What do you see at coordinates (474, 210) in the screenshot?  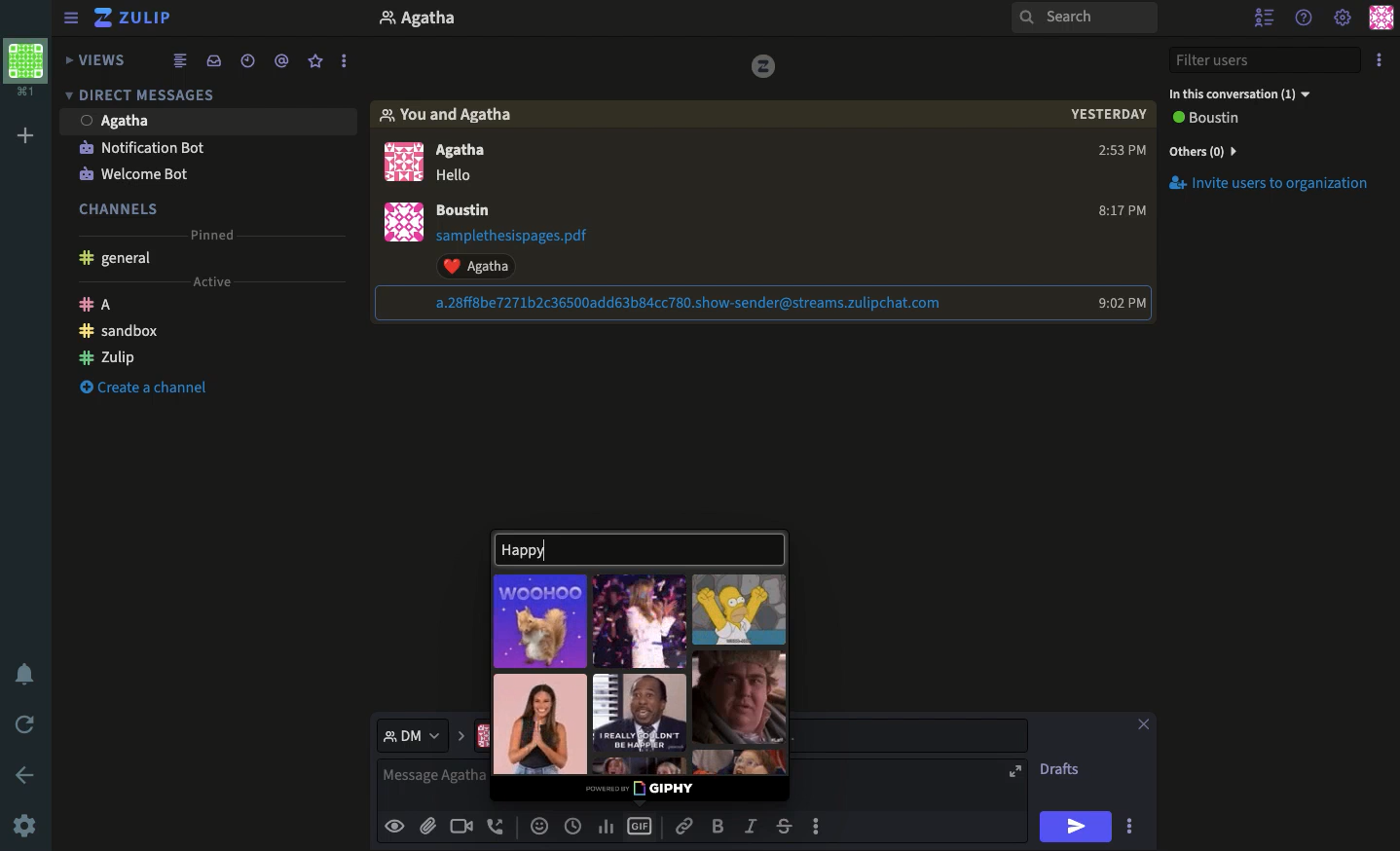 I see `User` at bounding box center [474, 210].